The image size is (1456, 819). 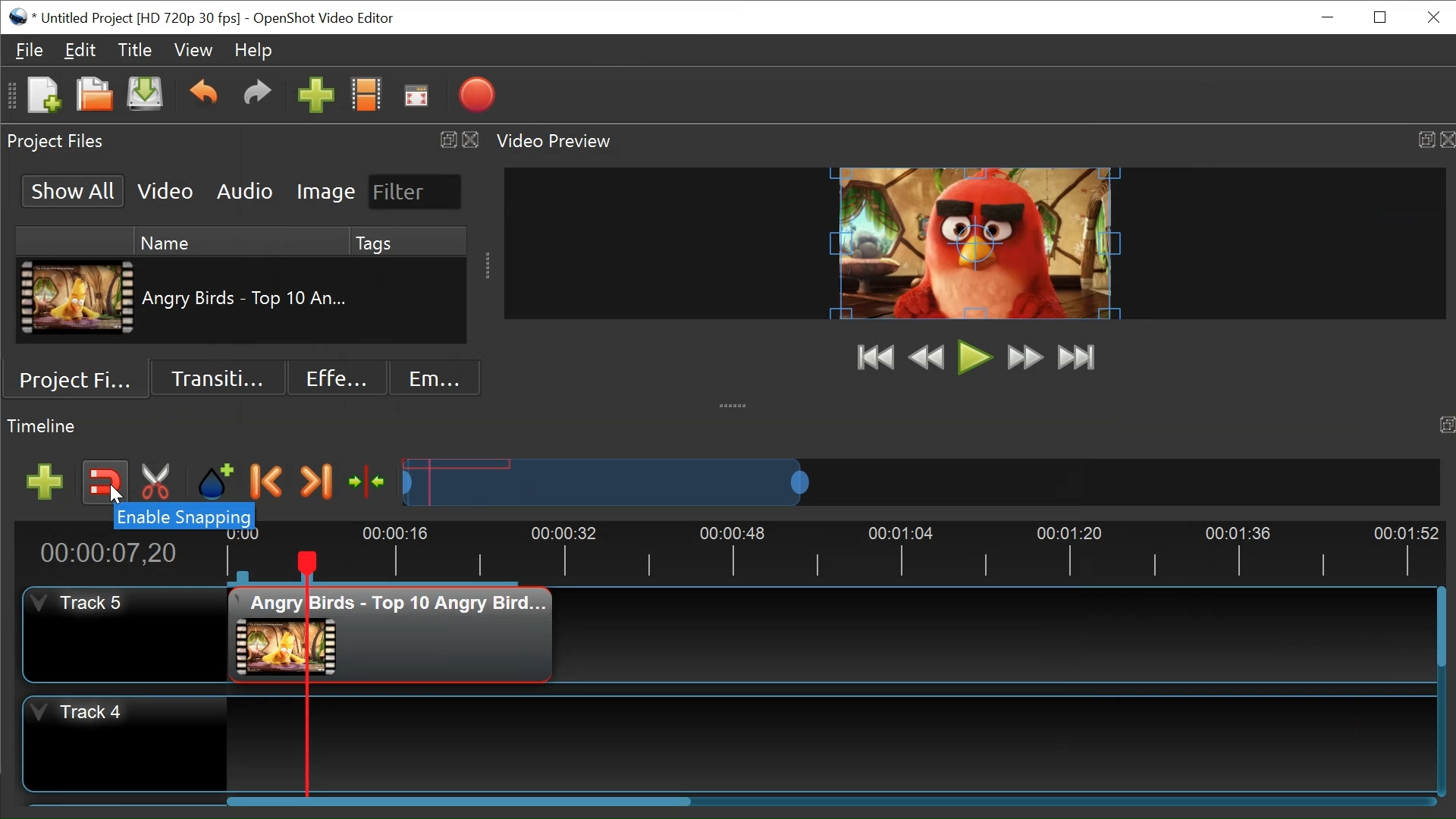 I want to click on Undo, so click(x=202, y=97).